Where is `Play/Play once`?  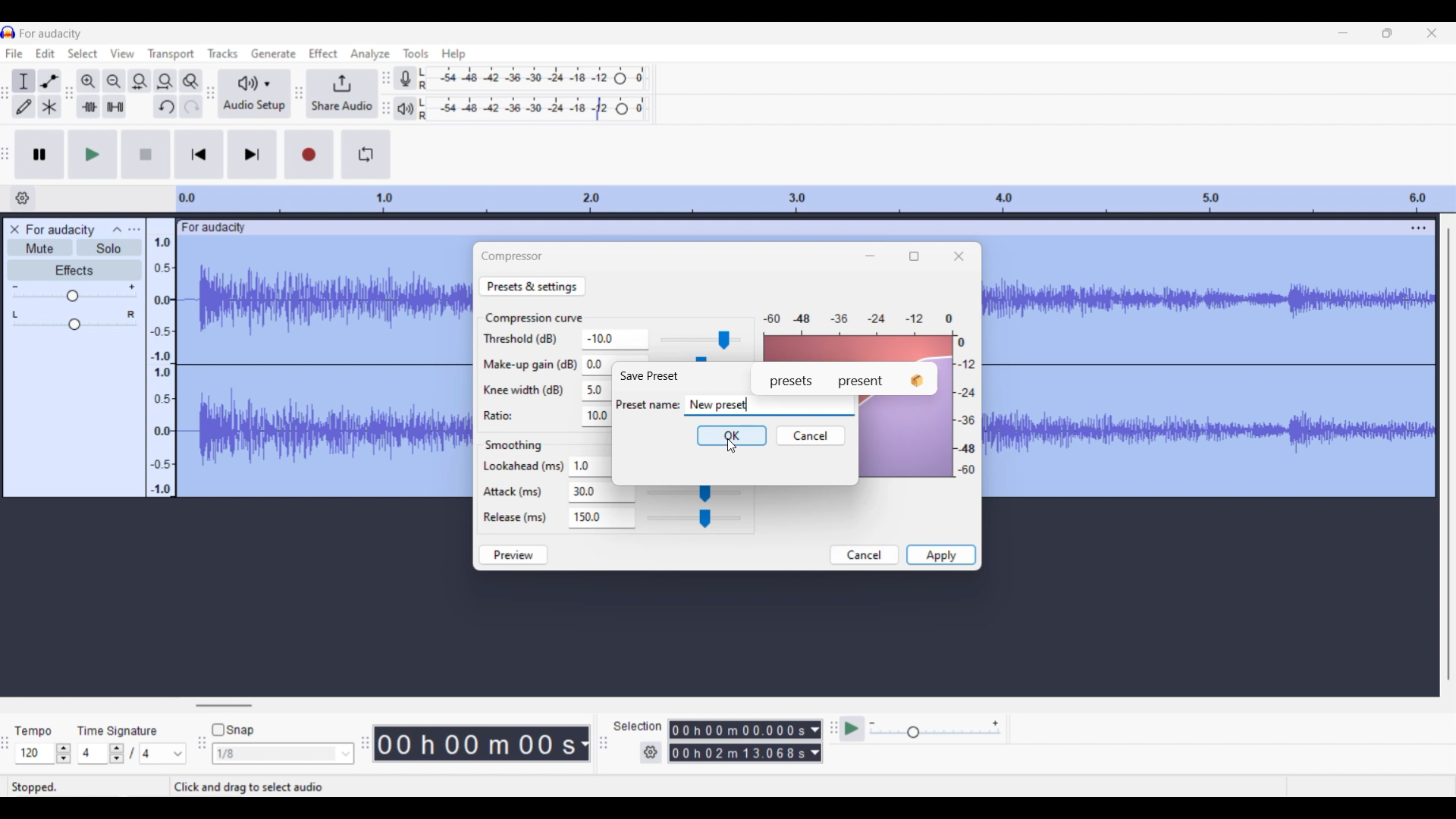
Play/Play once is located at coordinates (93, 155).